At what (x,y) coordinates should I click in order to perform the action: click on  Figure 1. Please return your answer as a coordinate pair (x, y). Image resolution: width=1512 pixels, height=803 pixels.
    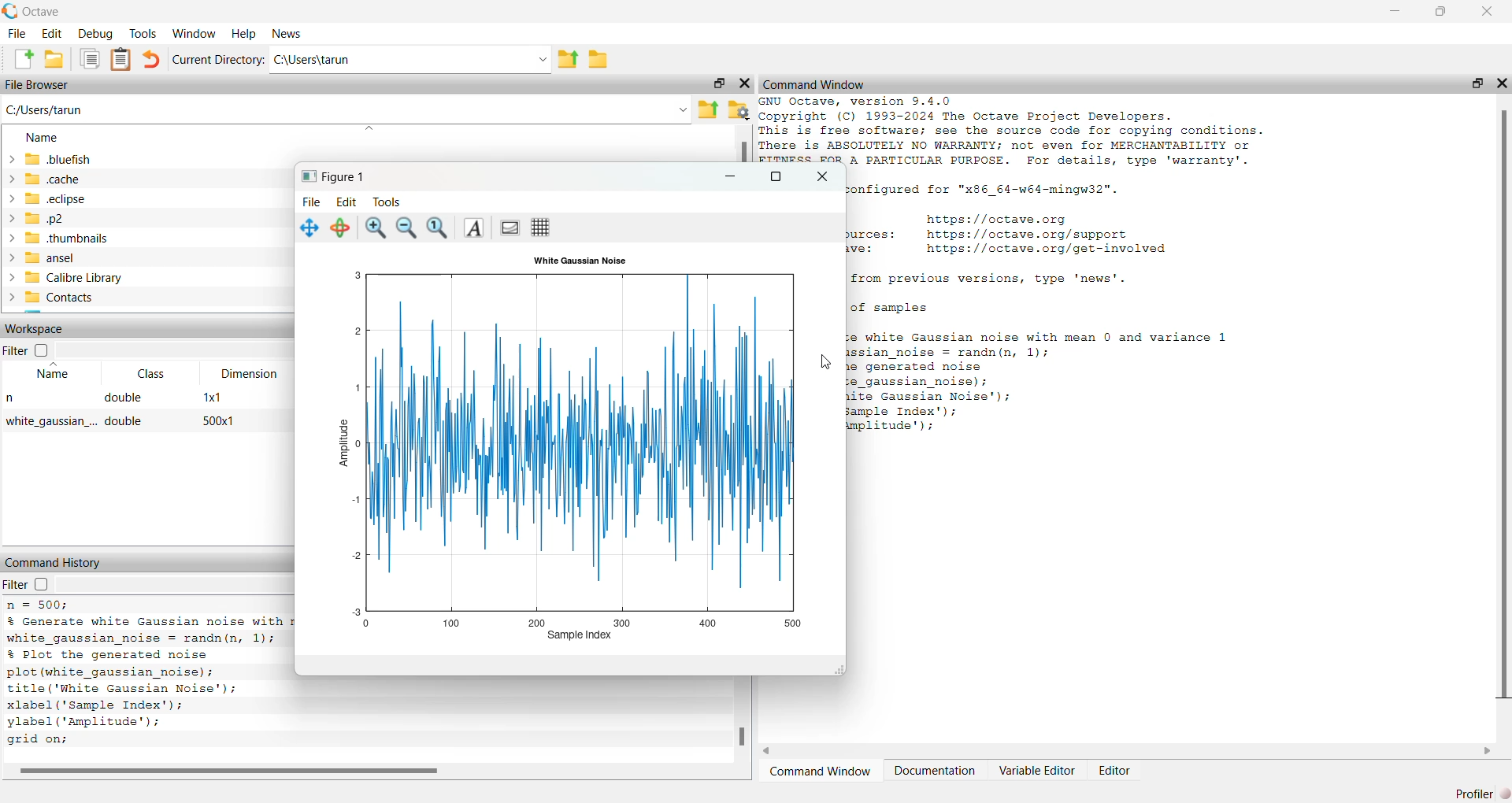
    Looking at the image, I should click on (335, 176).